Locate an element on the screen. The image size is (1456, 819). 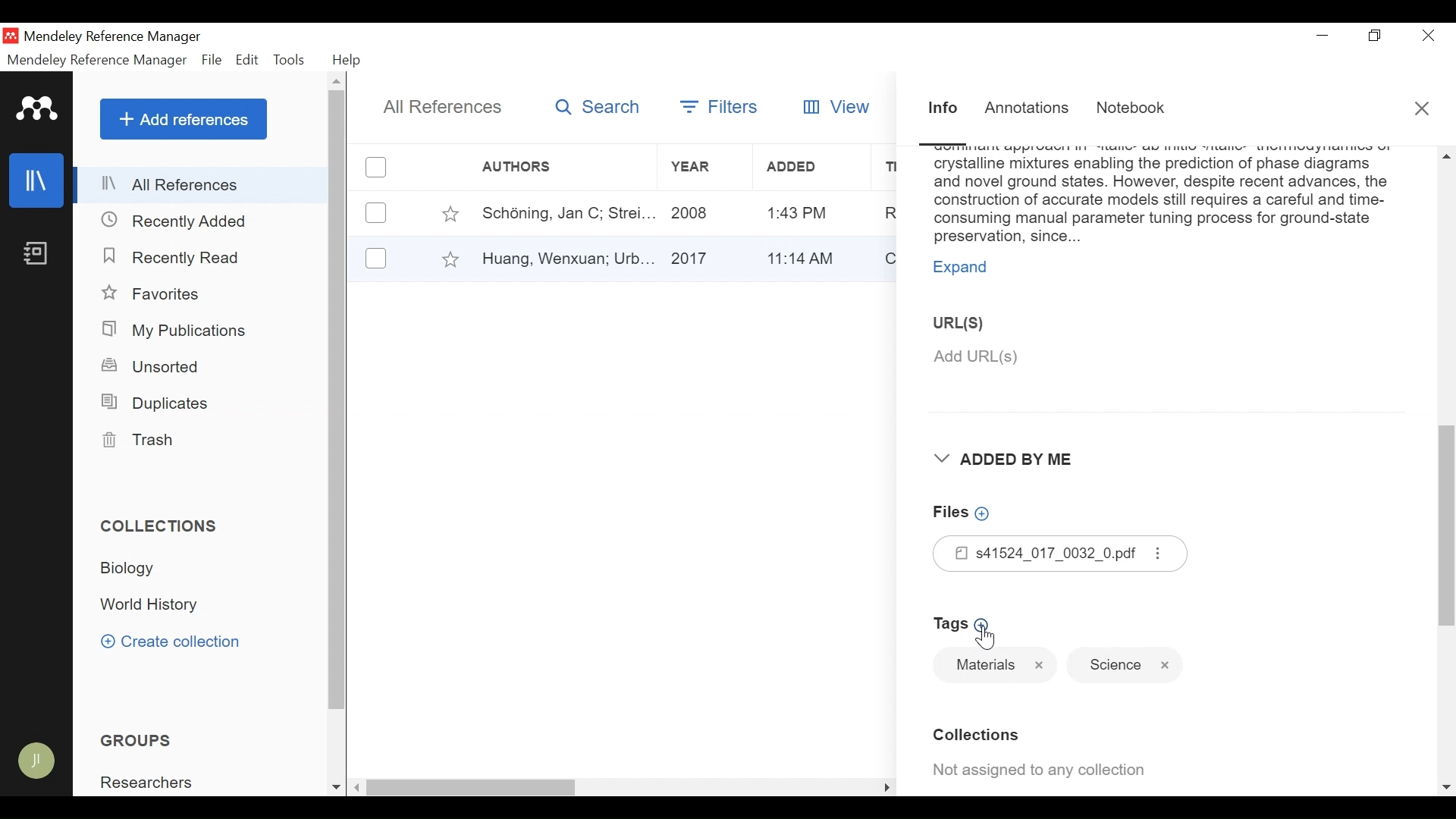
Added is located at coordinates (808, 168).